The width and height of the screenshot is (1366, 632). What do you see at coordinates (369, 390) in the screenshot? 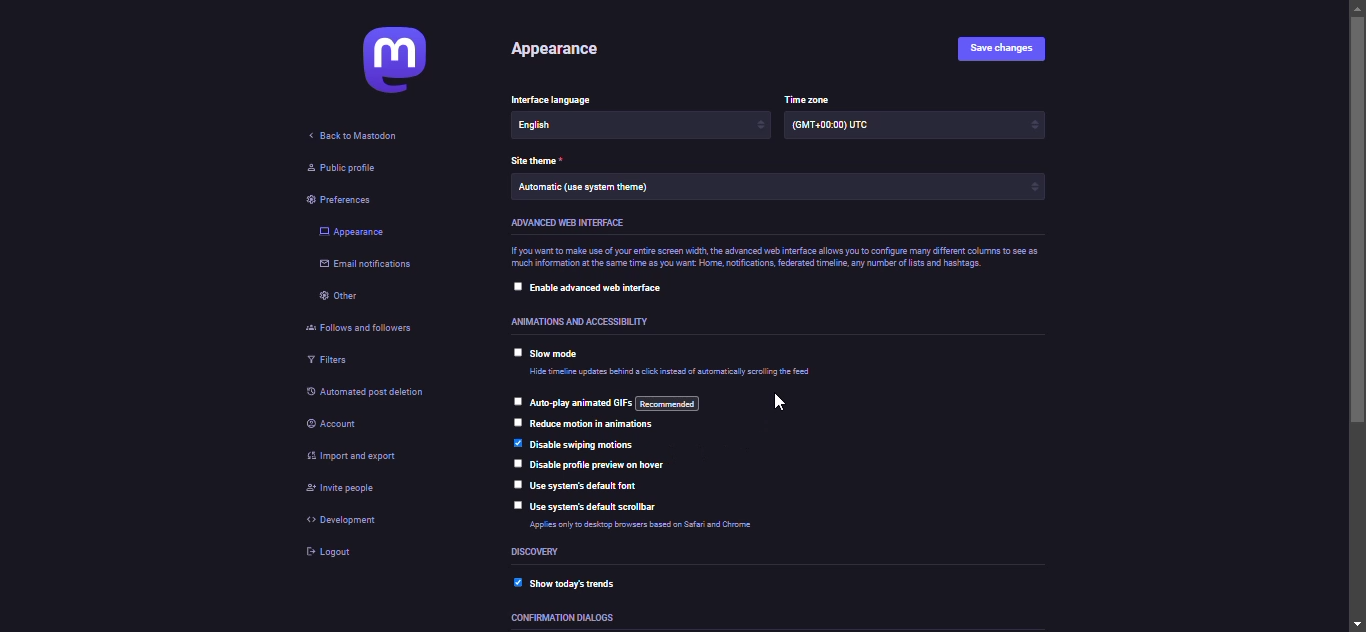
I see `automated post deletion` at bounding box center [369, 390].